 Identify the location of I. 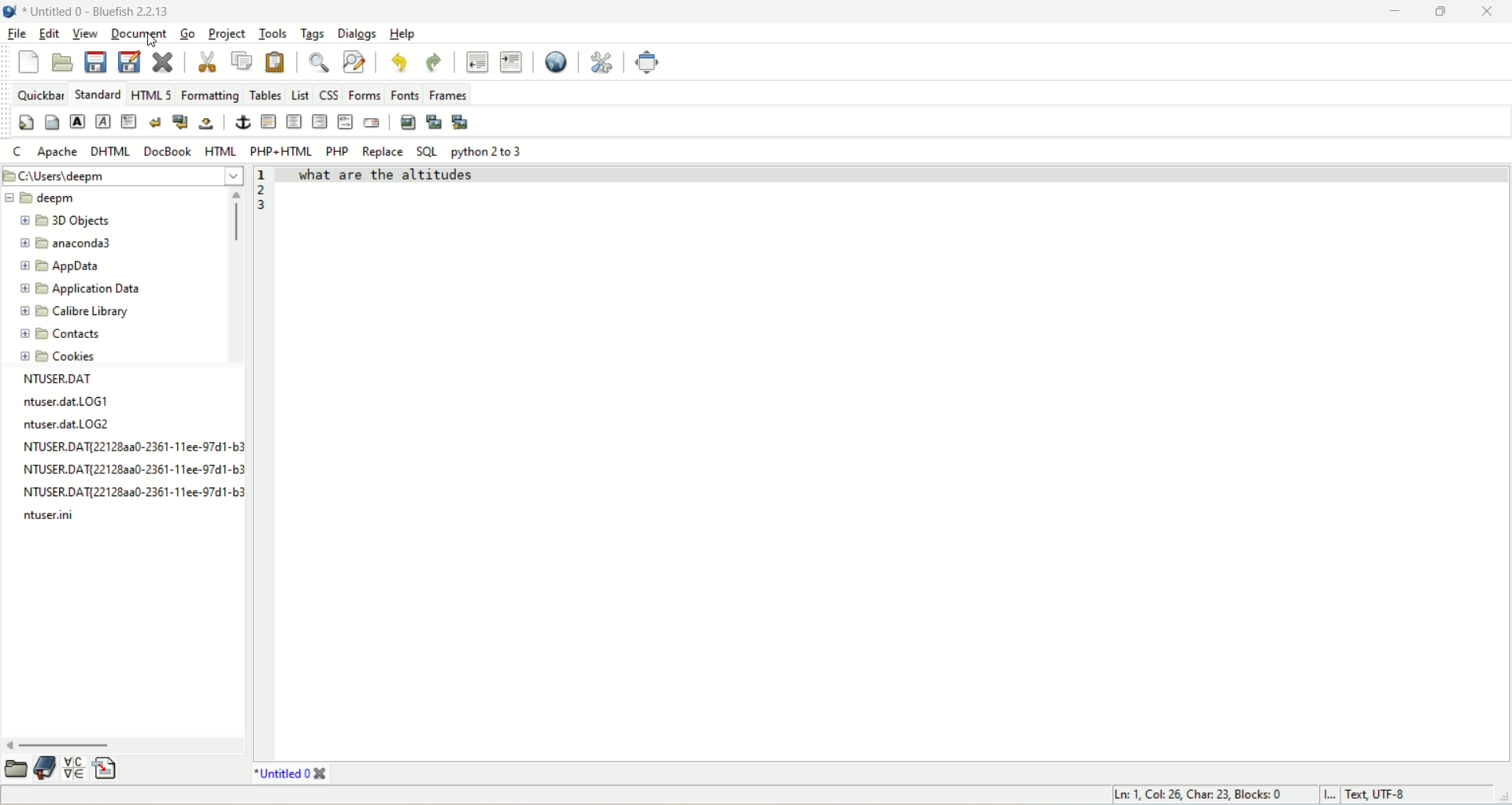
(1331, 796).